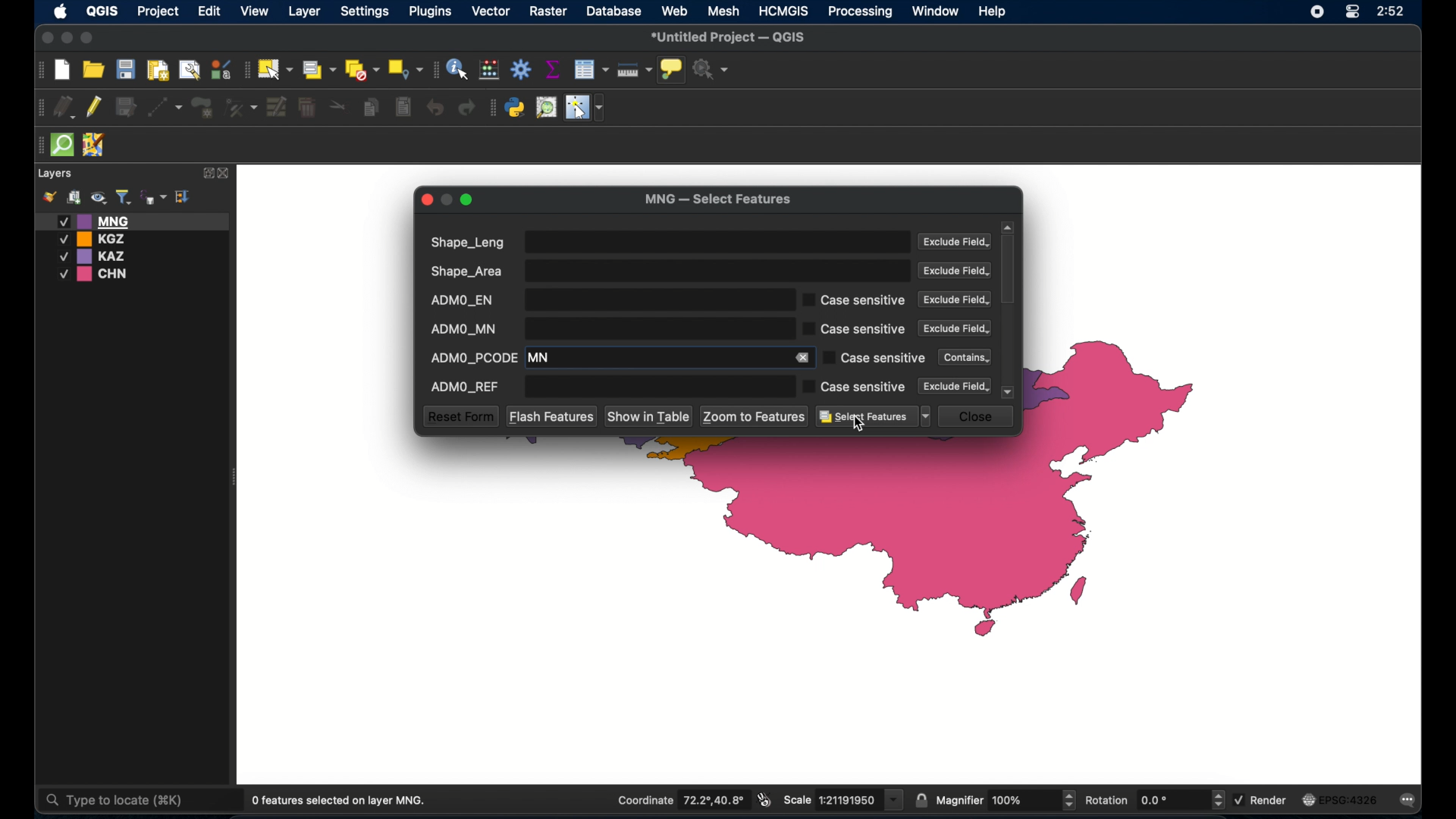 Image resolution: width=1456 pixels, height=819 pixels. Describe the element at coordinates (102, 256) in the screenshot. I see `KAZ` at that location.